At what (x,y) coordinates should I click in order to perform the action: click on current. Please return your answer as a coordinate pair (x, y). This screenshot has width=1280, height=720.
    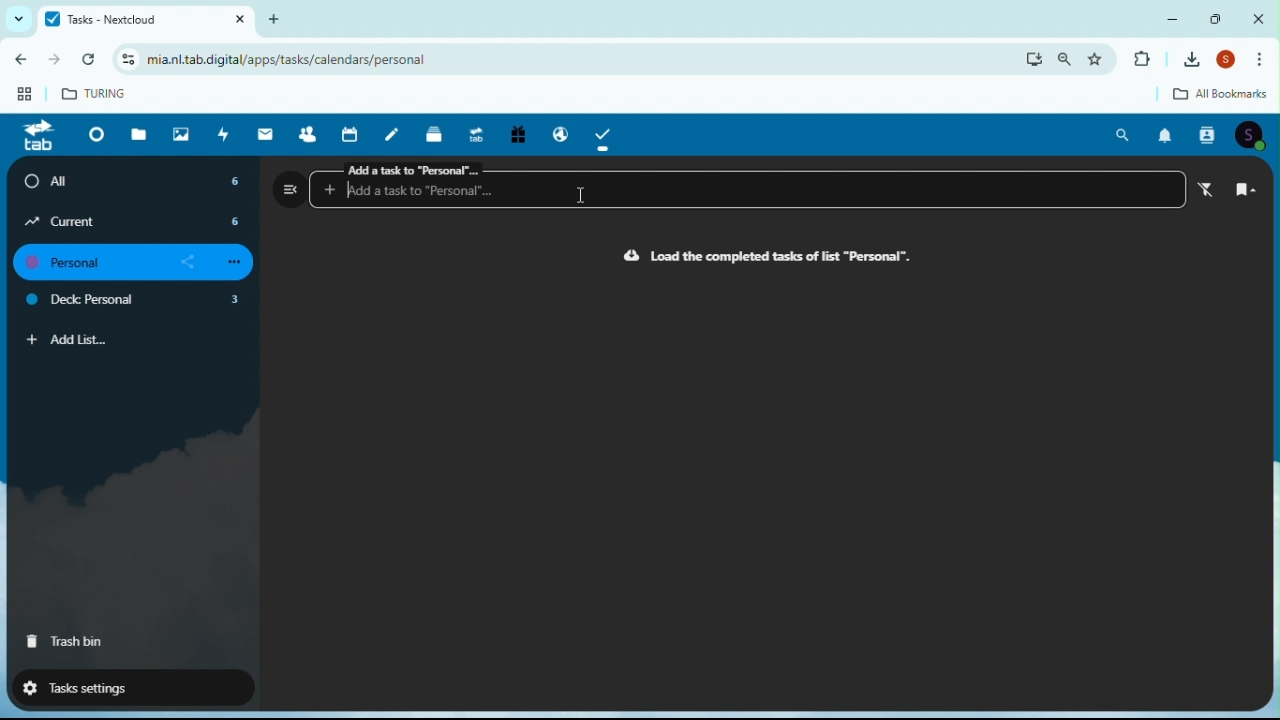
    Looking at the image, I should click on (134, 221).